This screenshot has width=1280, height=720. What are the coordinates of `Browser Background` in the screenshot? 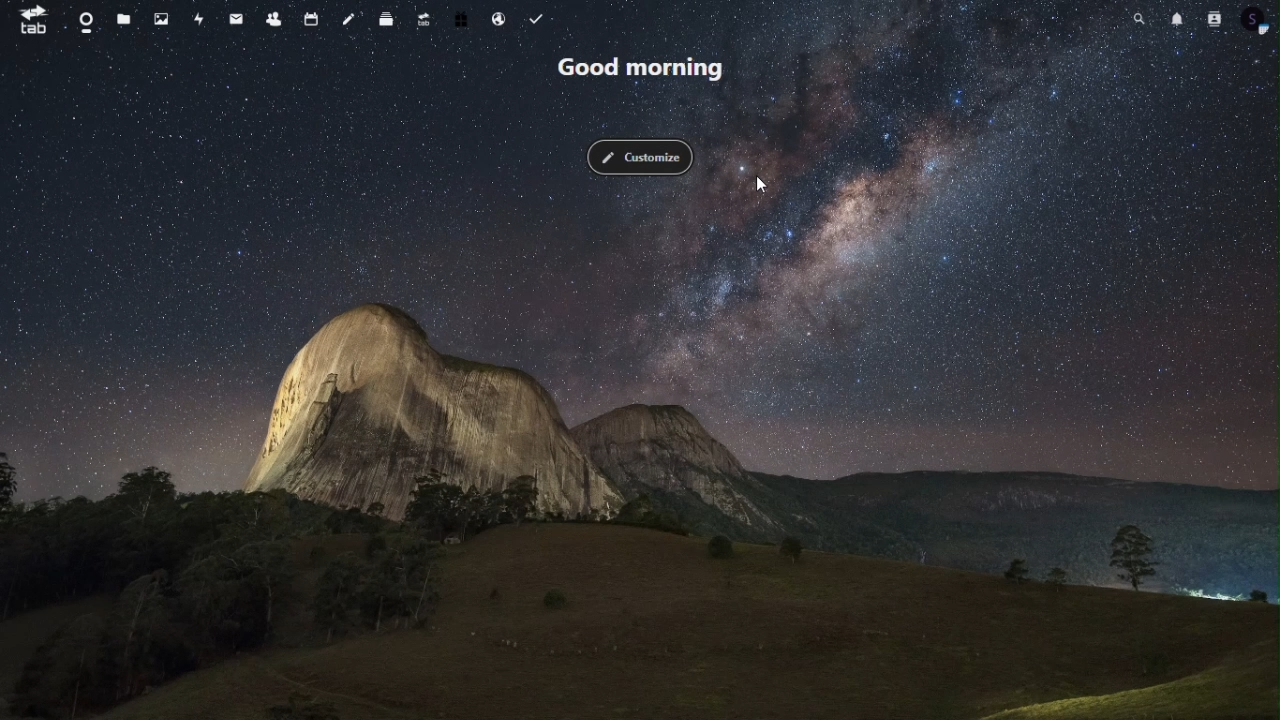 It's located at (640, 477).